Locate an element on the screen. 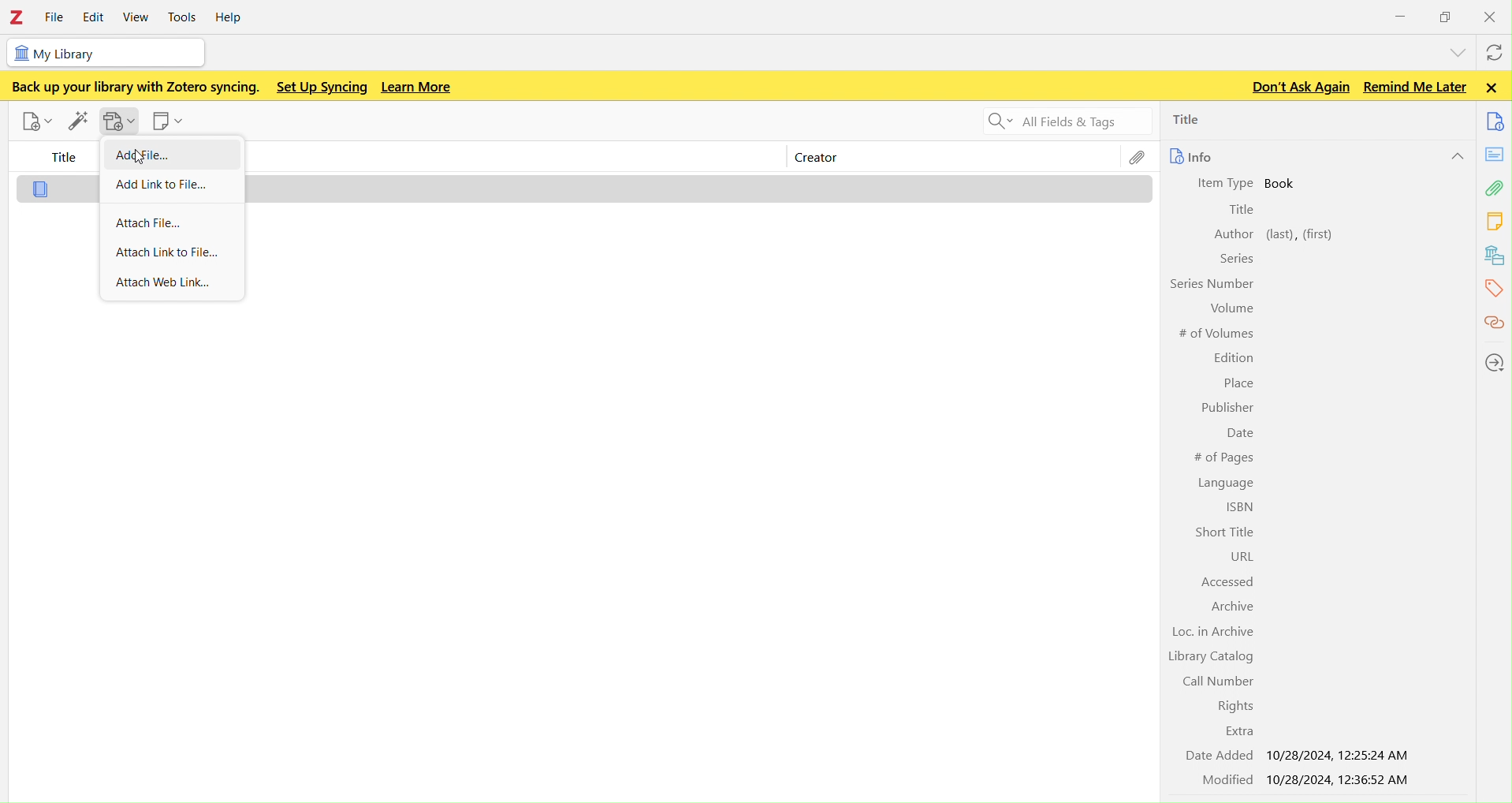 The image size is (1512, 803). Modified is located at coordinates (1214, 779).